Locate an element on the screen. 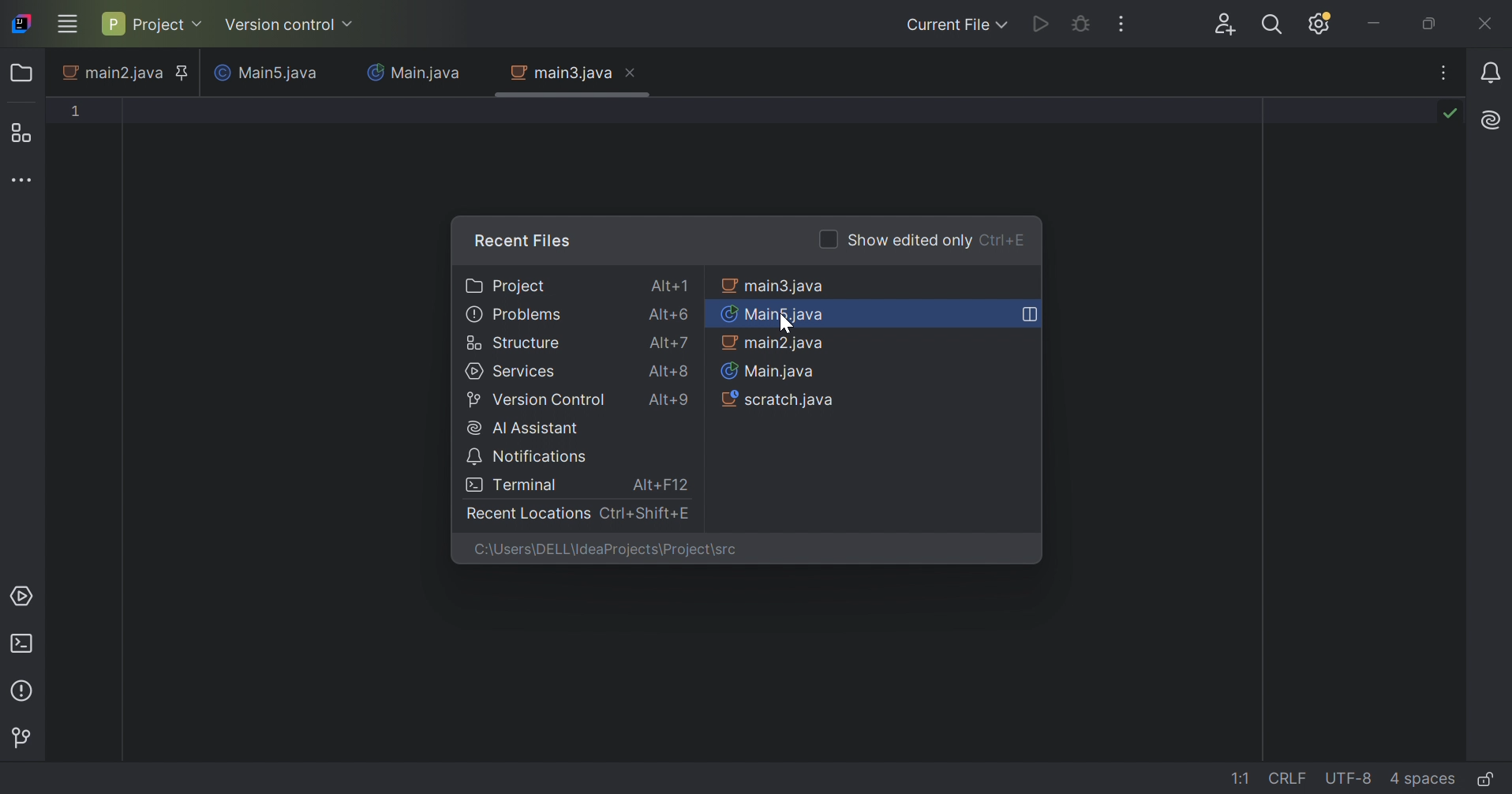  go to line is located at coordinates (1245, 779).